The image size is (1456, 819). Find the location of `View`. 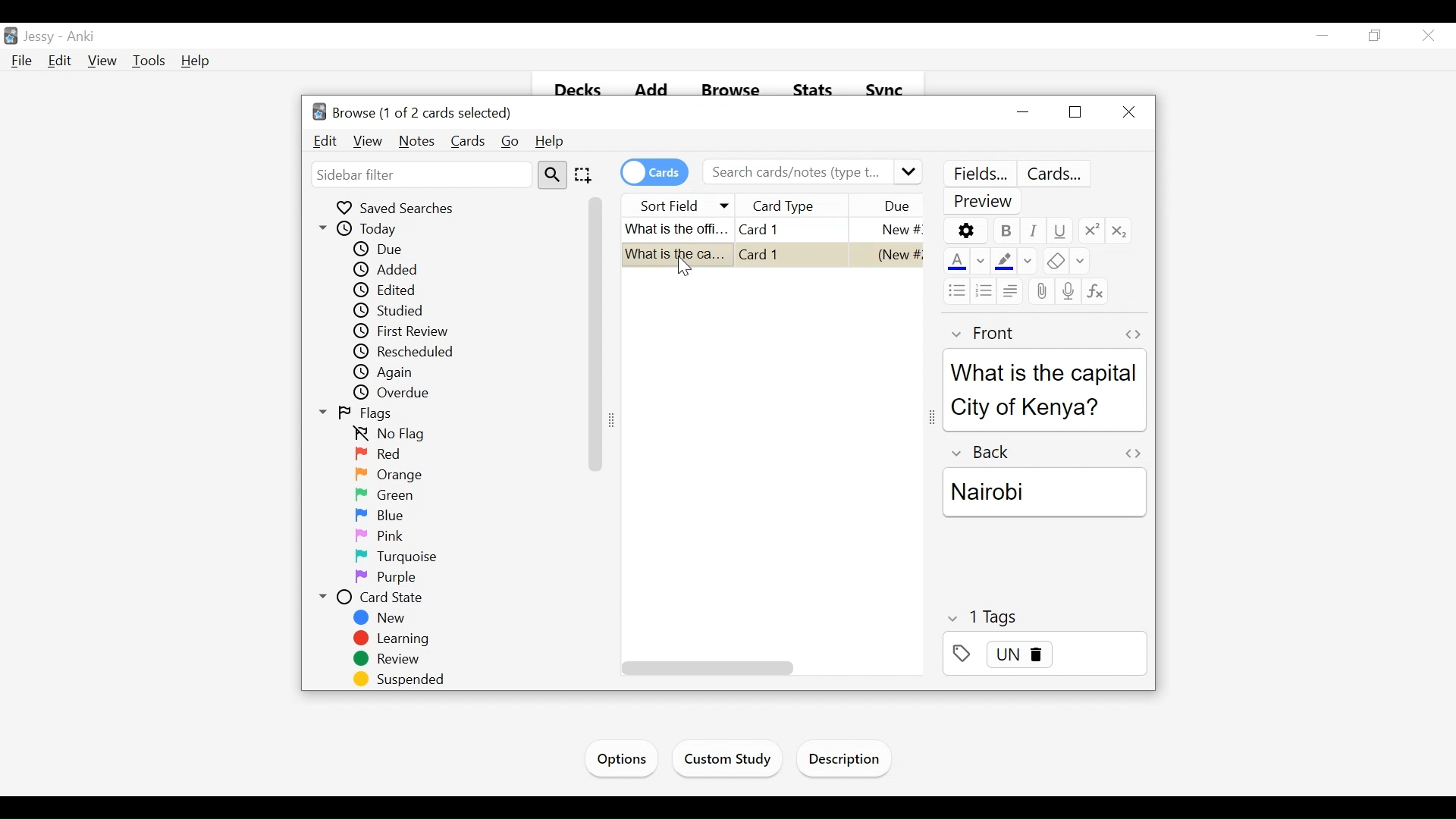

View is located at coordinates (367, 141).